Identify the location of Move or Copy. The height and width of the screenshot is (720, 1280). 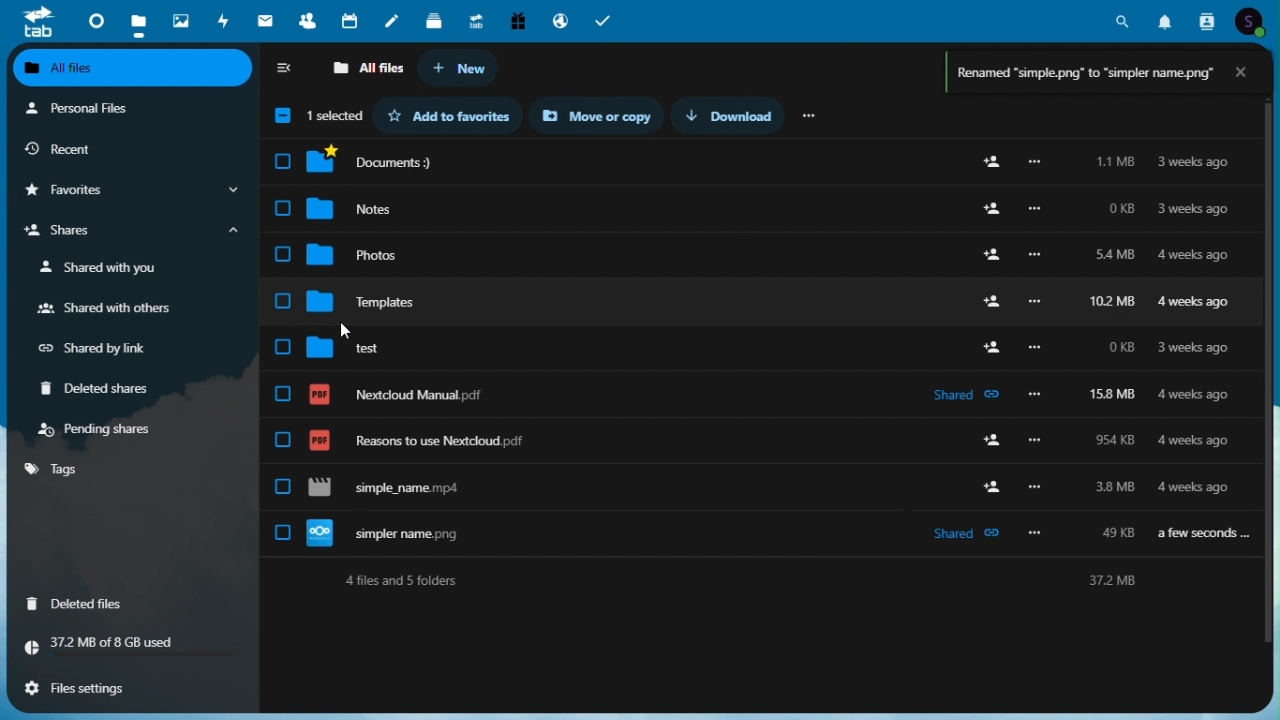
(604, 116).